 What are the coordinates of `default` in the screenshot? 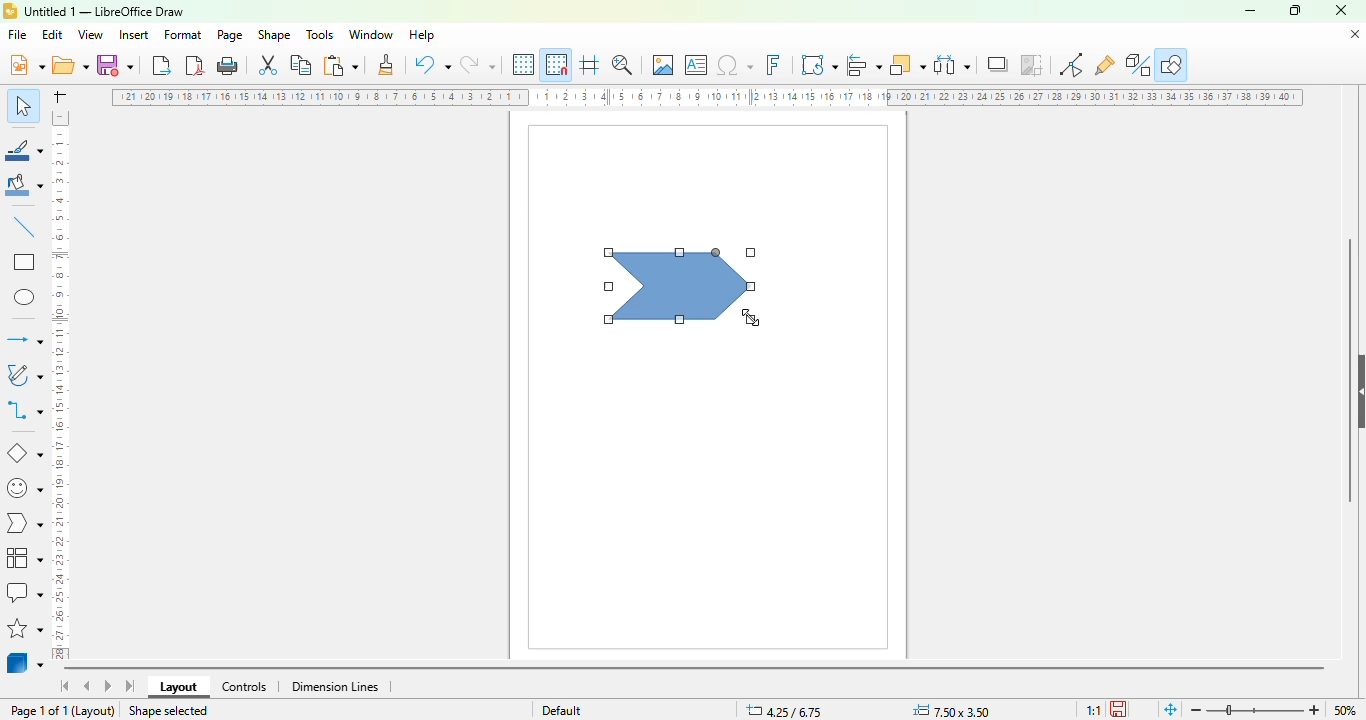 It's located at (562, 710).